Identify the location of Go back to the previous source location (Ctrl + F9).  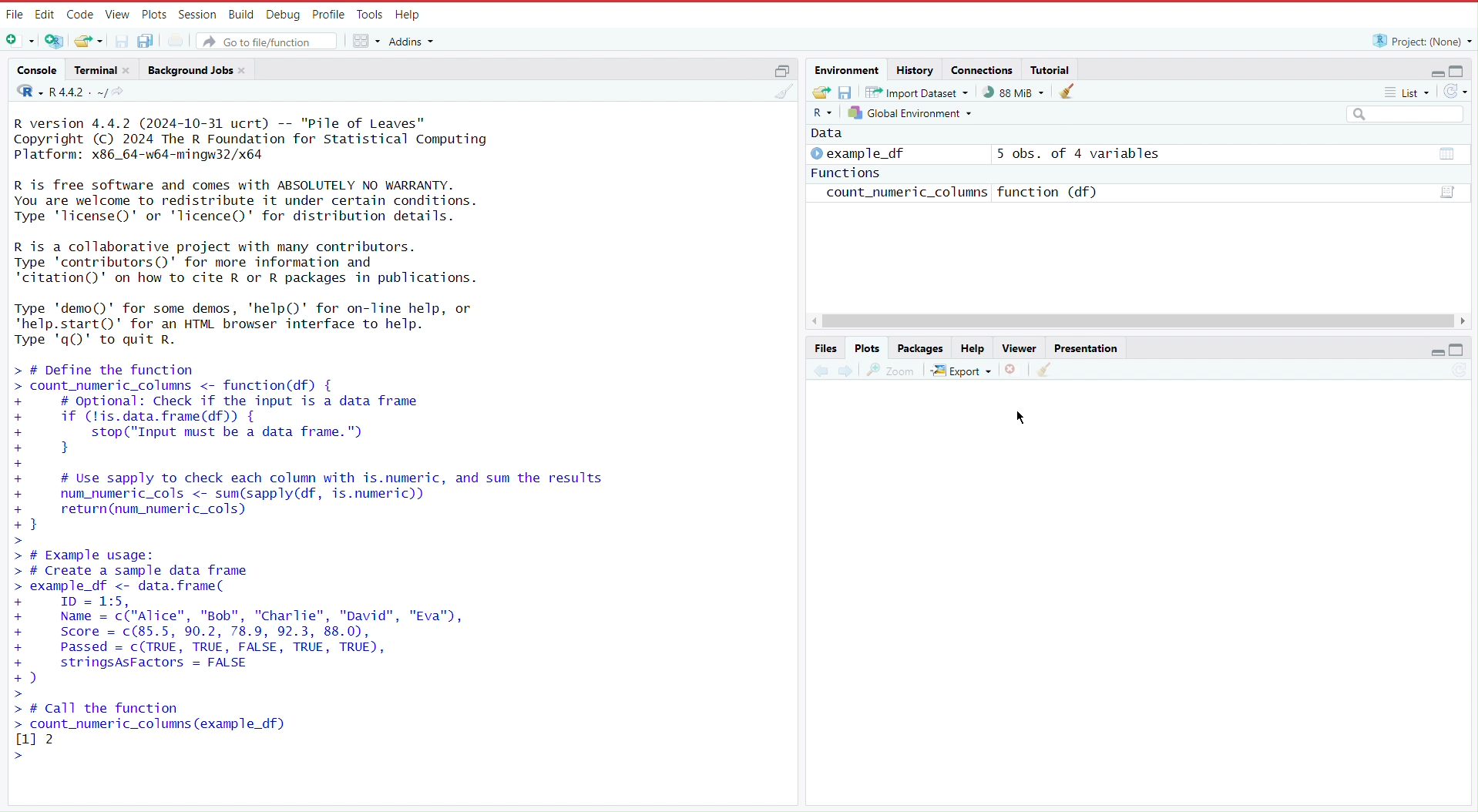
(821, 368).